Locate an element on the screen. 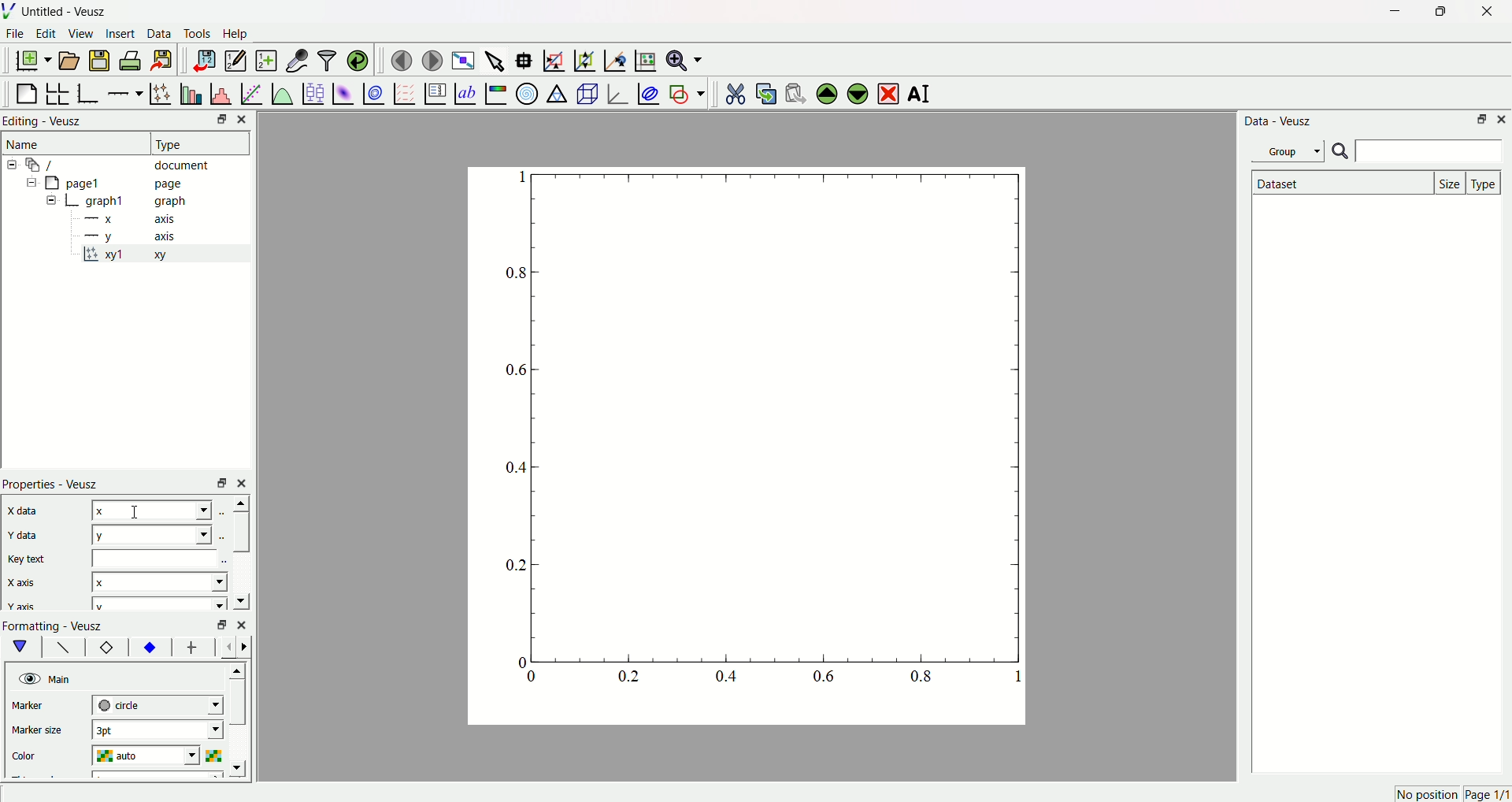  border is located at coordinates (106, 648).